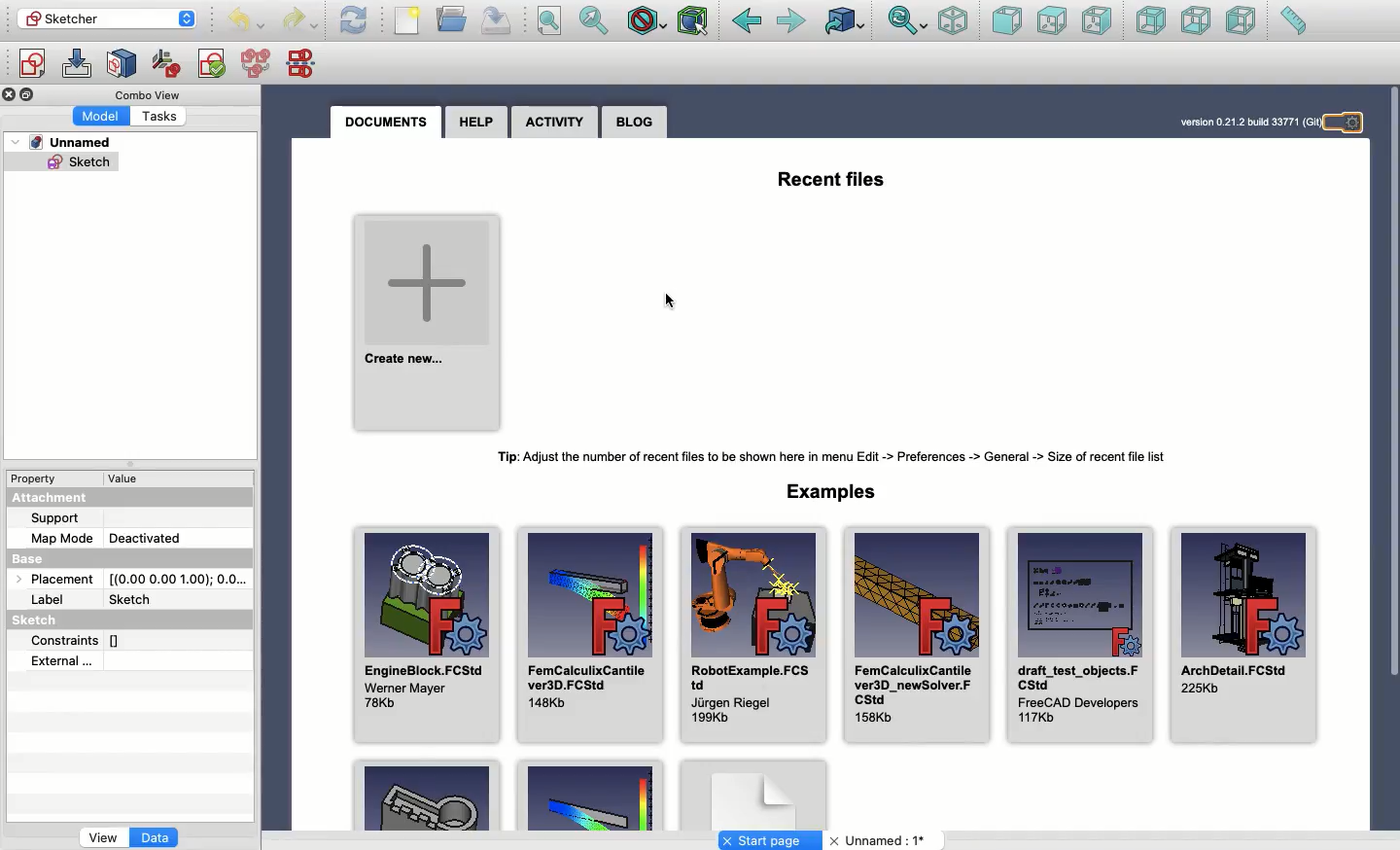 The height and width of the screenshot is (850, 1400). I want to click on Unnamed: 1*, so click(877, 841).